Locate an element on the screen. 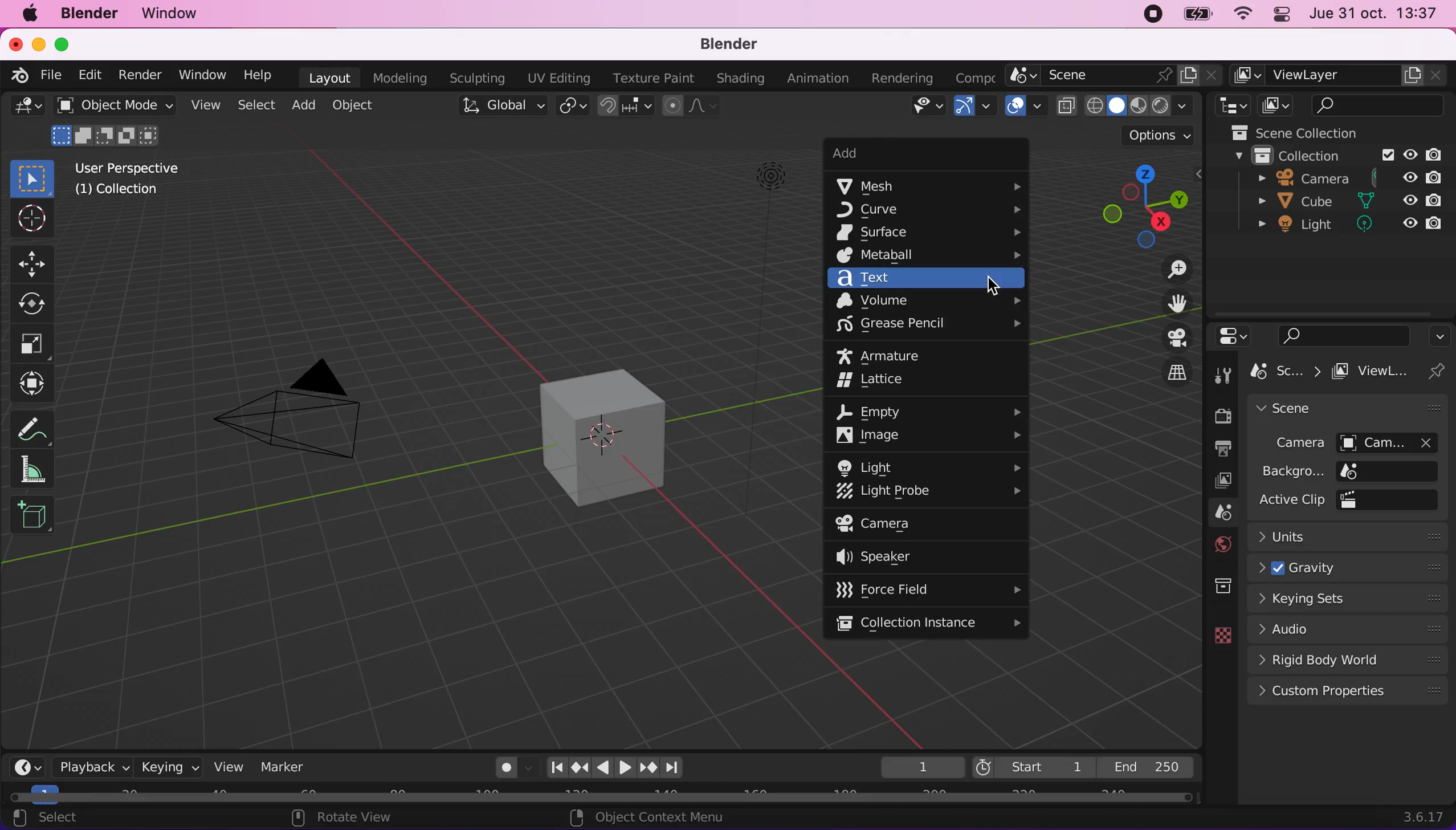 This screenshot has height=830, width=1456. end 250 is located at coordinates (1152, 767).